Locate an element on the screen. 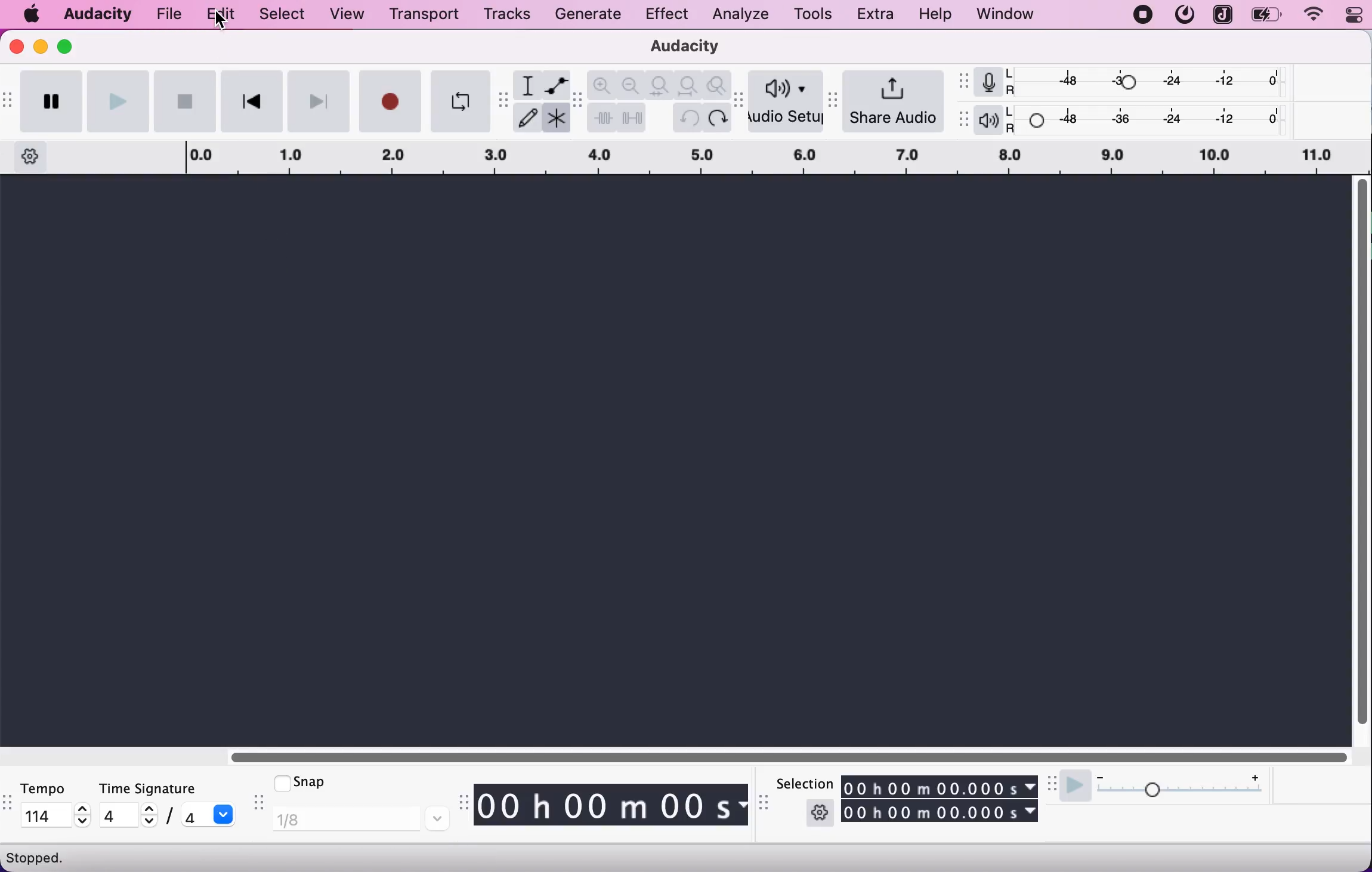  selection tool is located at coordinates (526, 85).